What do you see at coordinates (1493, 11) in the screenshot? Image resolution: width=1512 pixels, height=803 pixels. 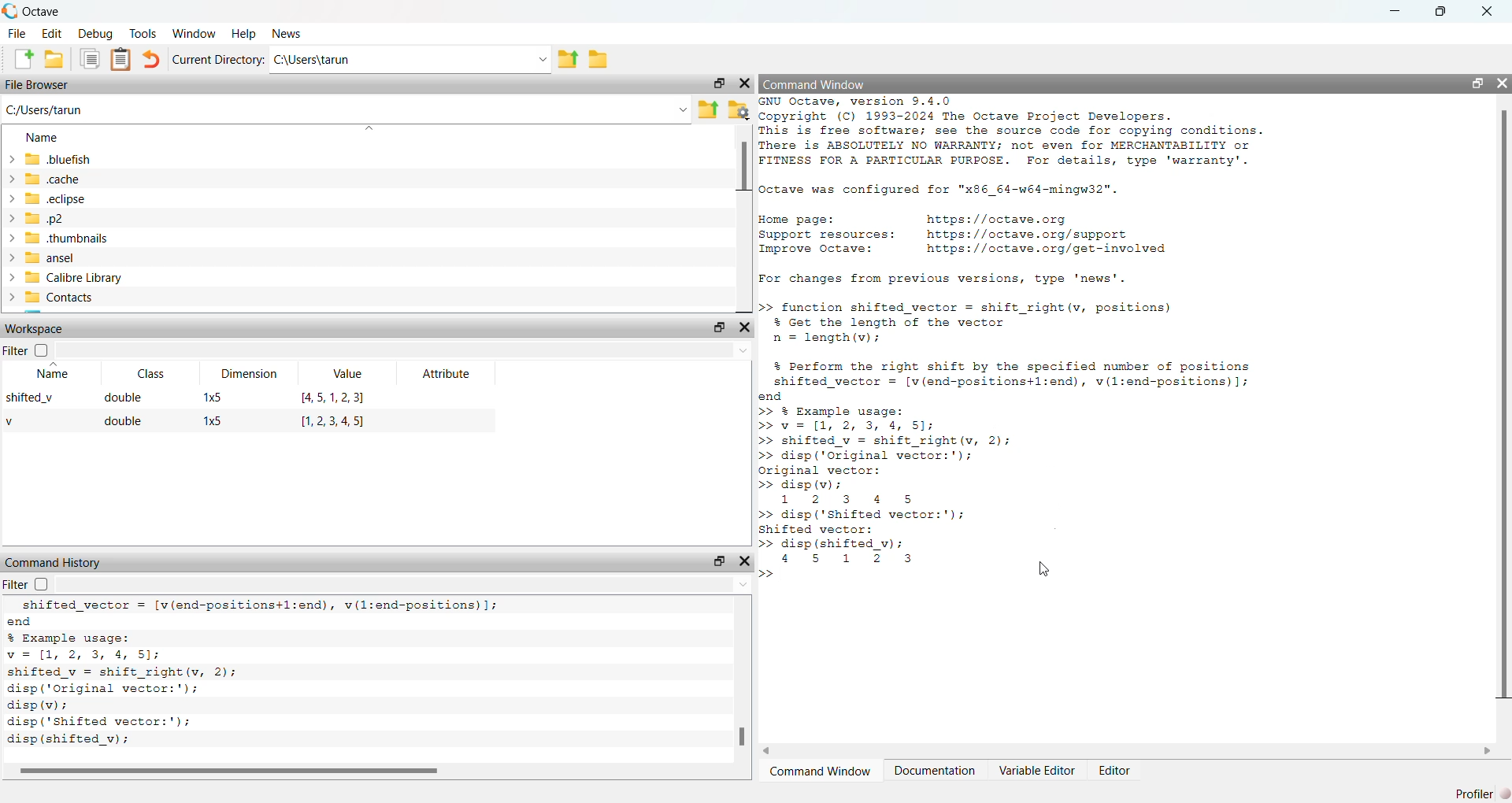 I see `close` at bounding box center [1493, 11].